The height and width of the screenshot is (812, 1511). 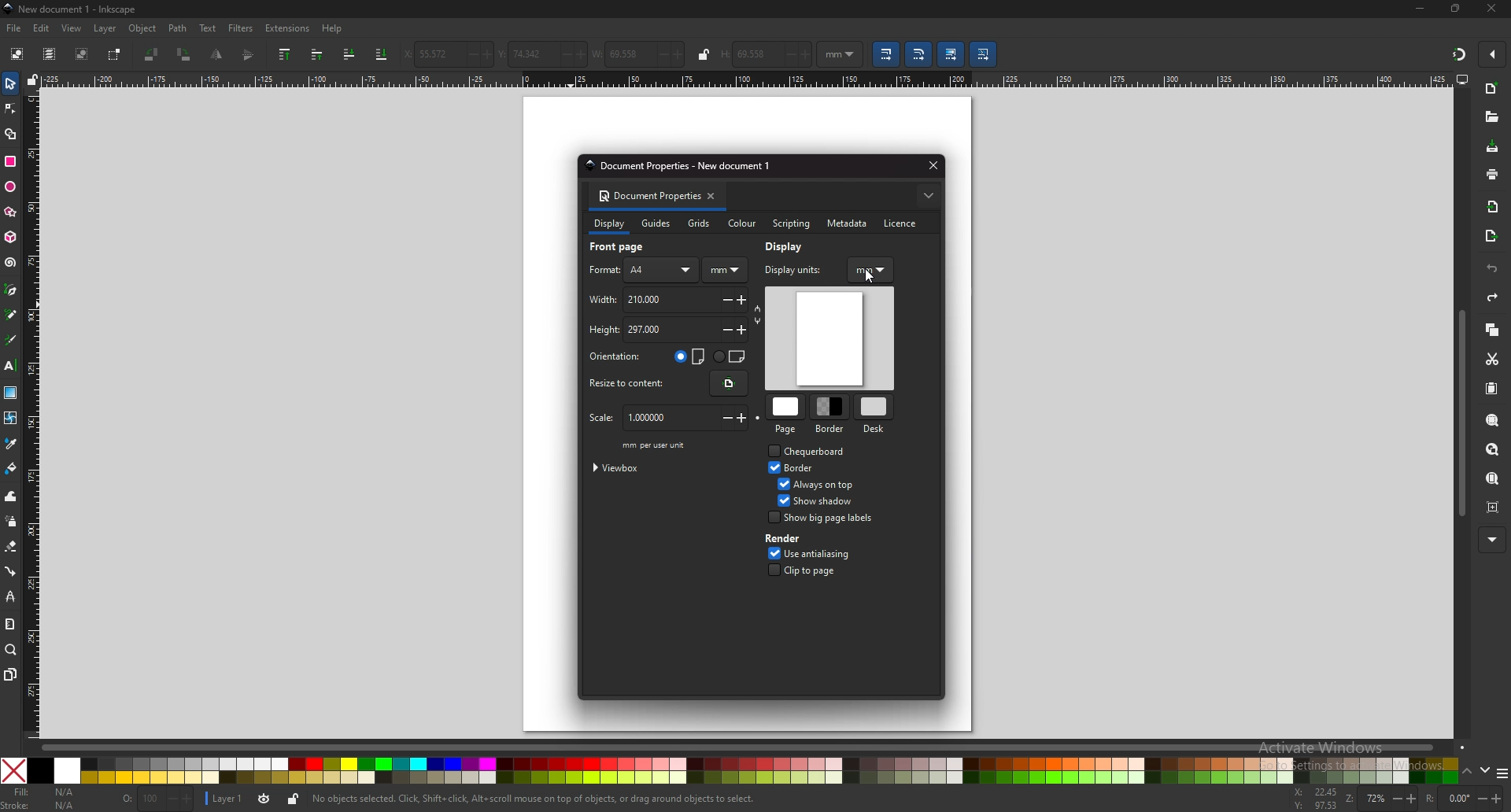 What do you see at coordinates (829, 338) in the screenshot?
I see `page preview` at bounding box center [829, 338].